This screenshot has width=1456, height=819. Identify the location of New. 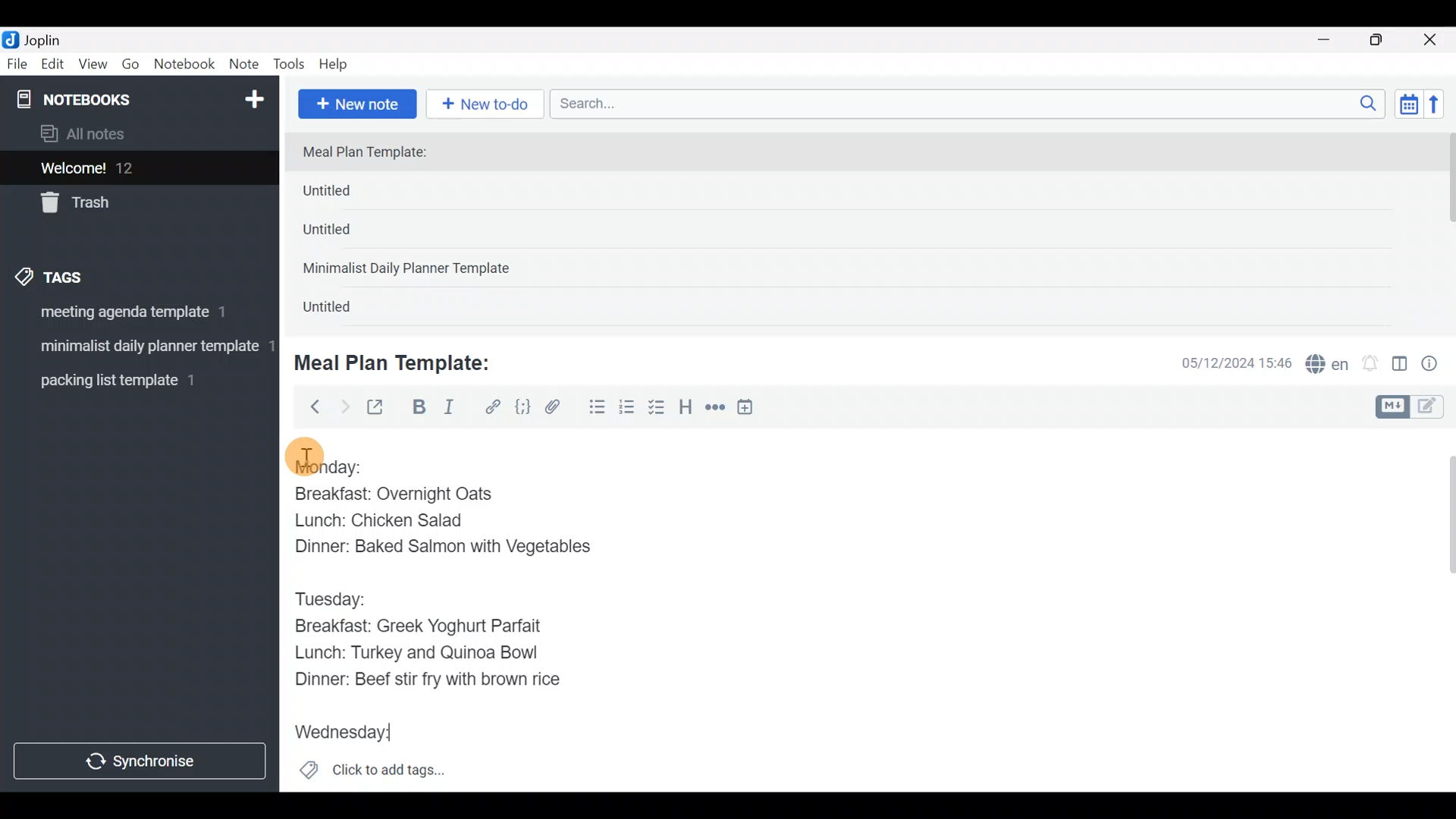
(253, 96).